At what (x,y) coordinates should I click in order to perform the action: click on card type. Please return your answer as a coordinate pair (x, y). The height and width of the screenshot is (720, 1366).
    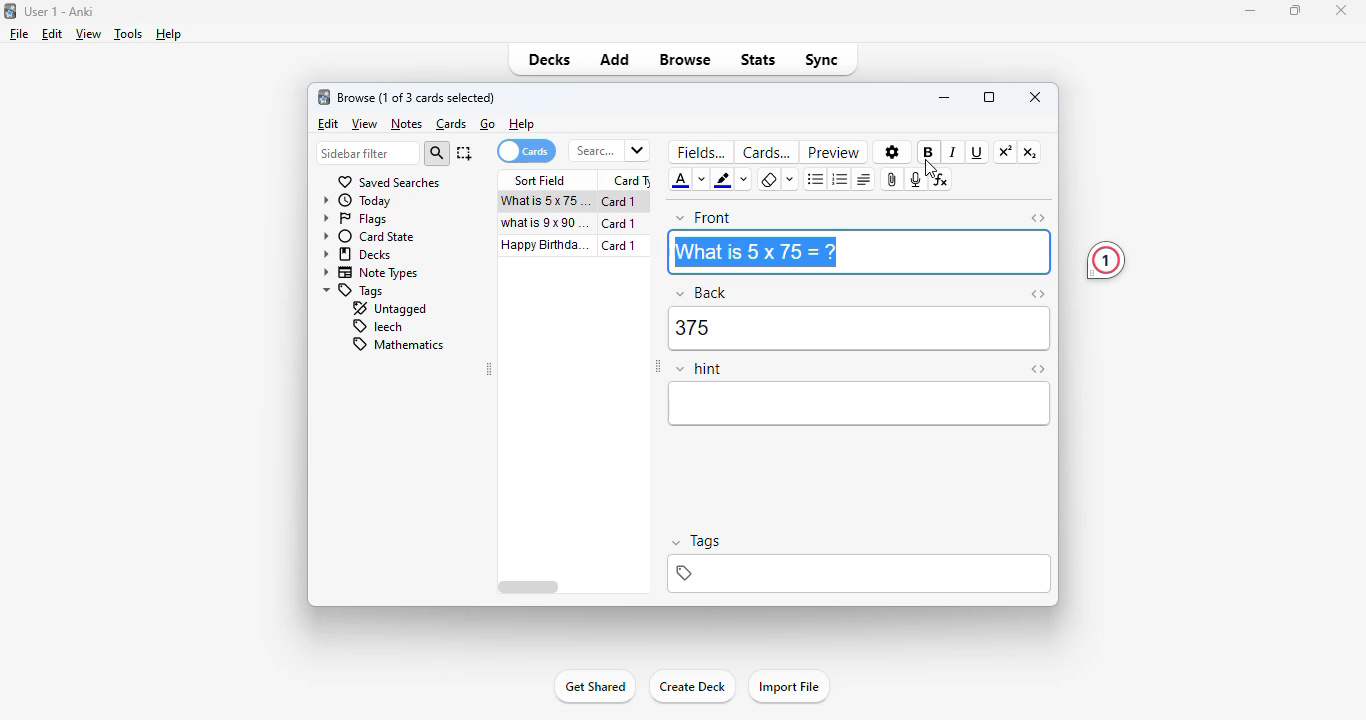
    Looking at the image, I should click on (630, 179).